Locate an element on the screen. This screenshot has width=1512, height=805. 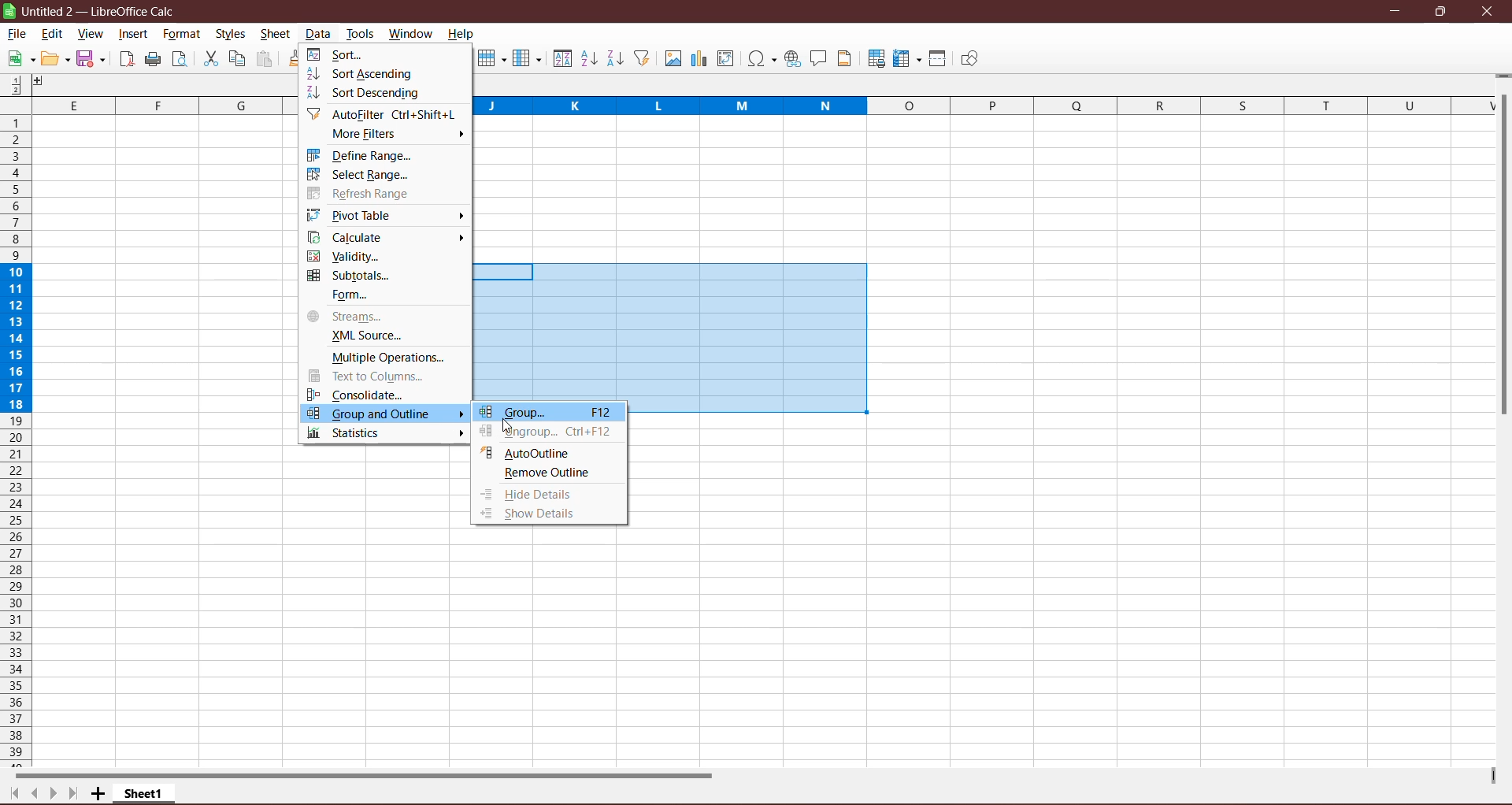
File is located at coordinates (17, 34).